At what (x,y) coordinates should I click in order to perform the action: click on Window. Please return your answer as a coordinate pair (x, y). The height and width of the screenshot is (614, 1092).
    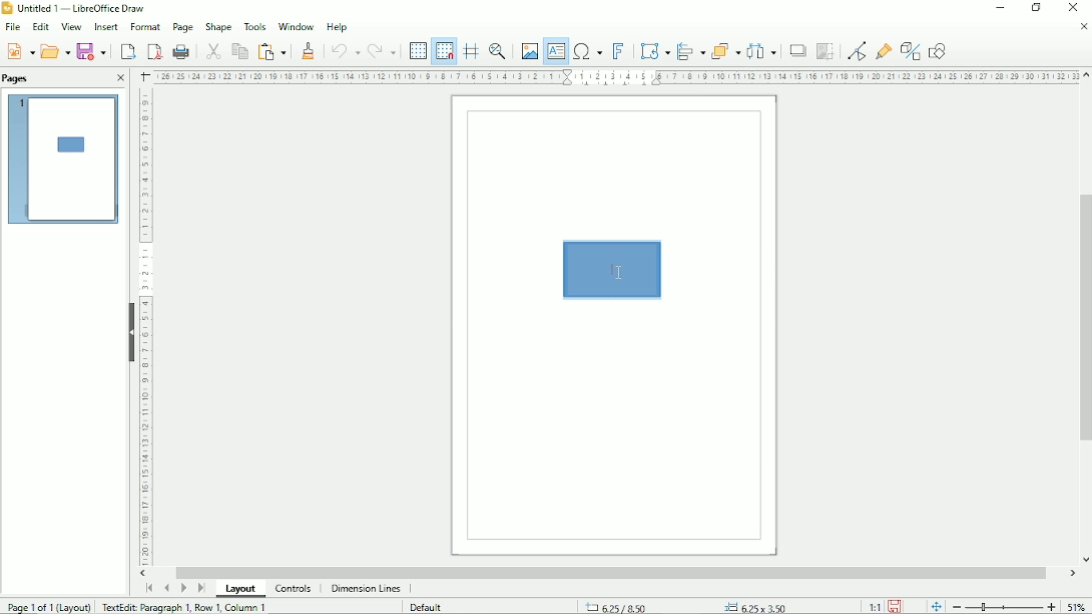
    Looking at the image, I should click on (296, 26).